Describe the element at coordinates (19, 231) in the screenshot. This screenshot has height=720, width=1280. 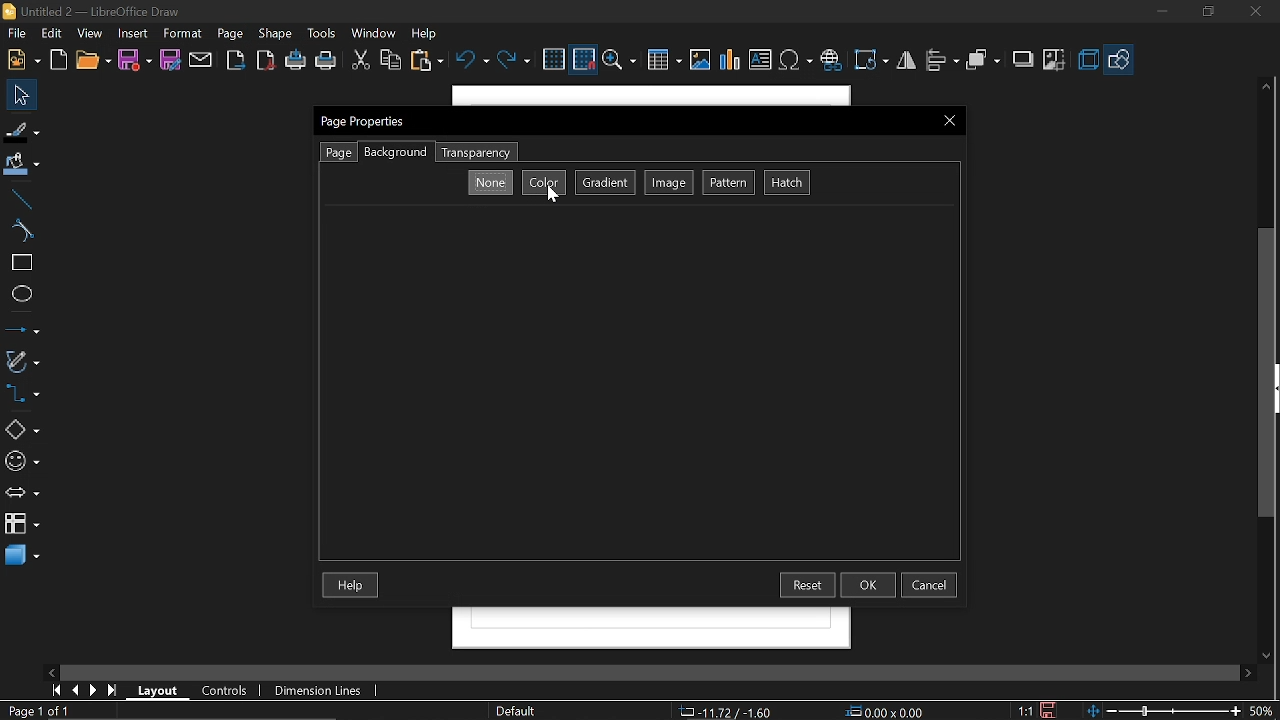
I see `Curve` at that location.